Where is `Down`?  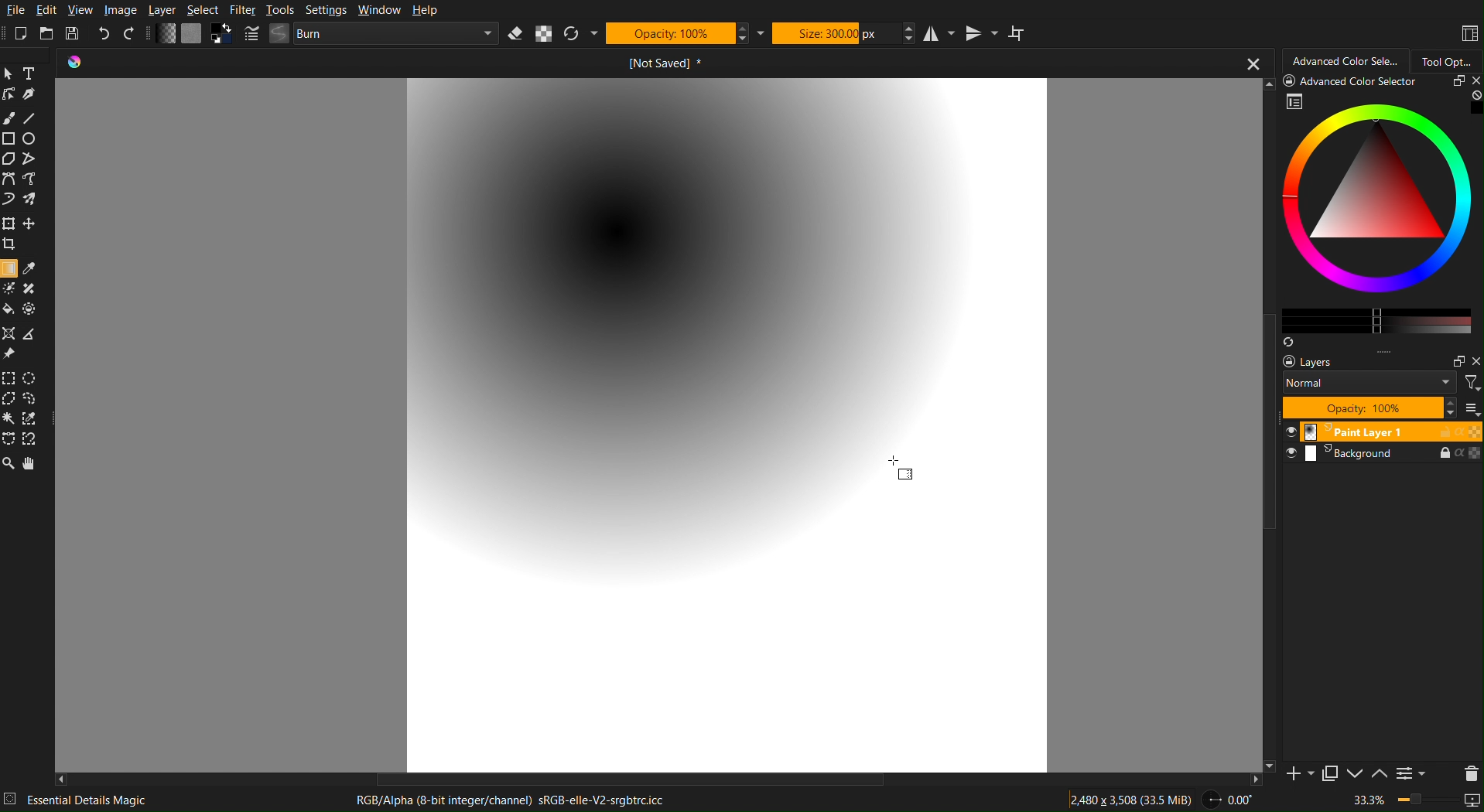
Down is located at coordinates (1353, 775).